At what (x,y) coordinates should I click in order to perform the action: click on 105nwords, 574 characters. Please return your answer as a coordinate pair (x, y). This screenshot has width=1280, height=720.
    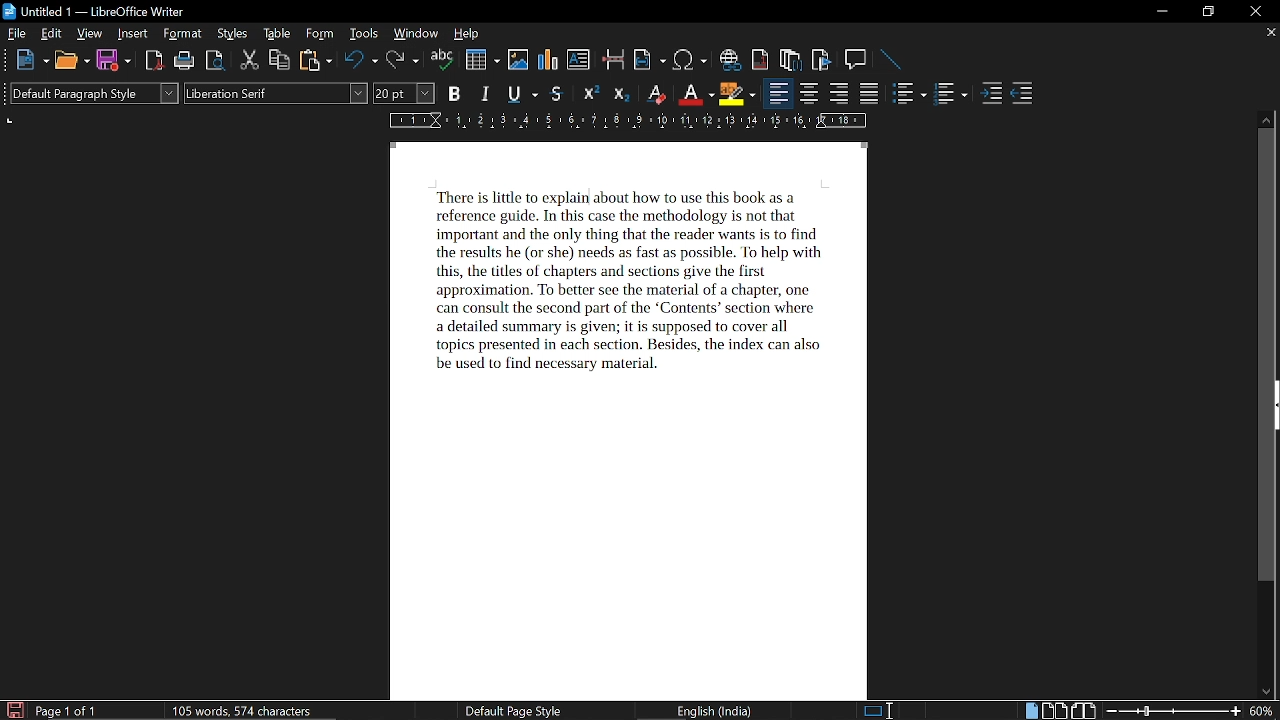
    Looking at the image, I should click on (241, 712).